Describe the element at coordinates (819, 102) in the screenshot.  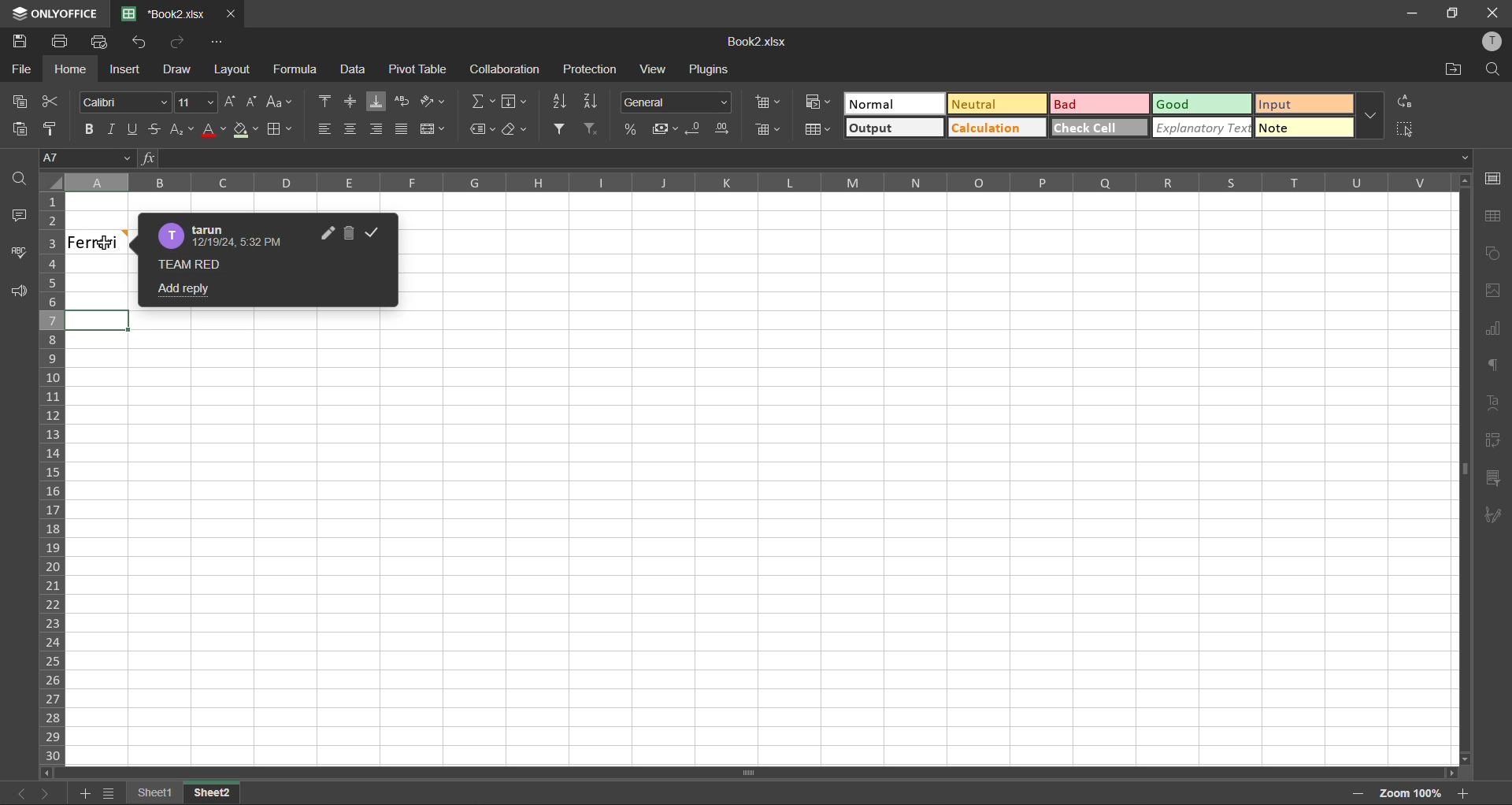
I see `conditional formatting` at that location.